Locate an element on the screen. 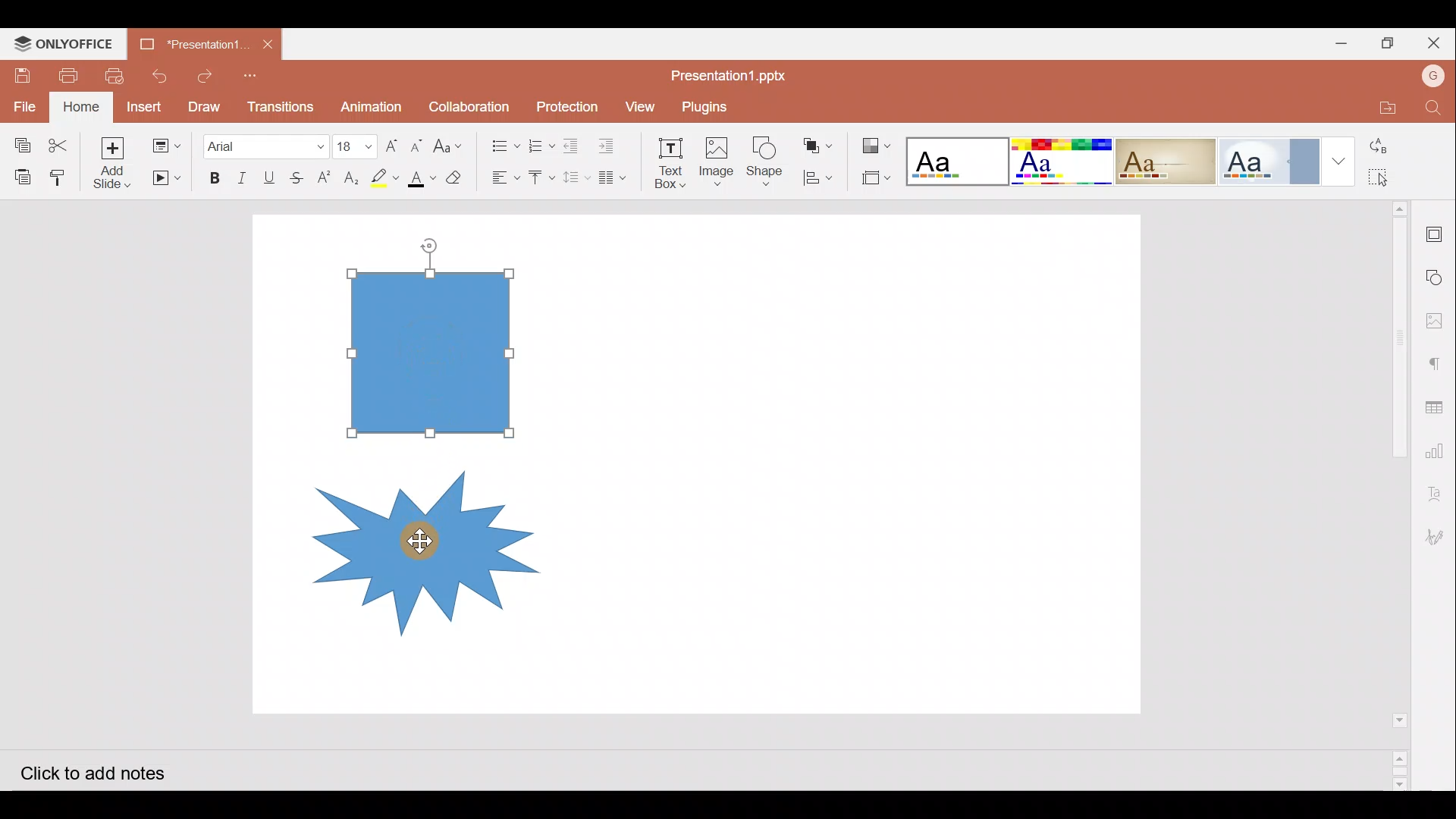  Close document is located at coordinates (269, 43).